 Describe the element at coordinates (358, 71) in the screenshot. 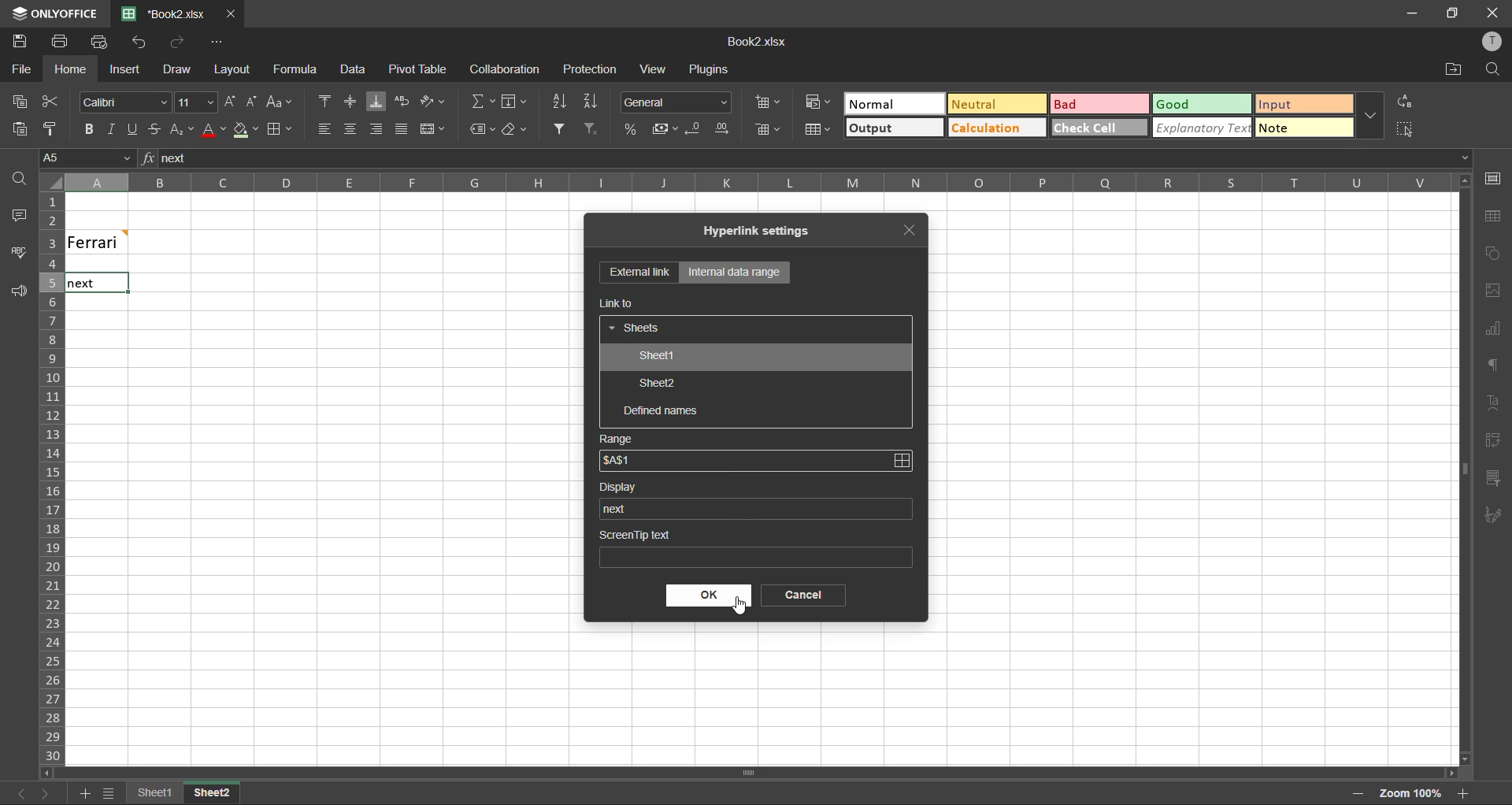

I see `data` at that location.